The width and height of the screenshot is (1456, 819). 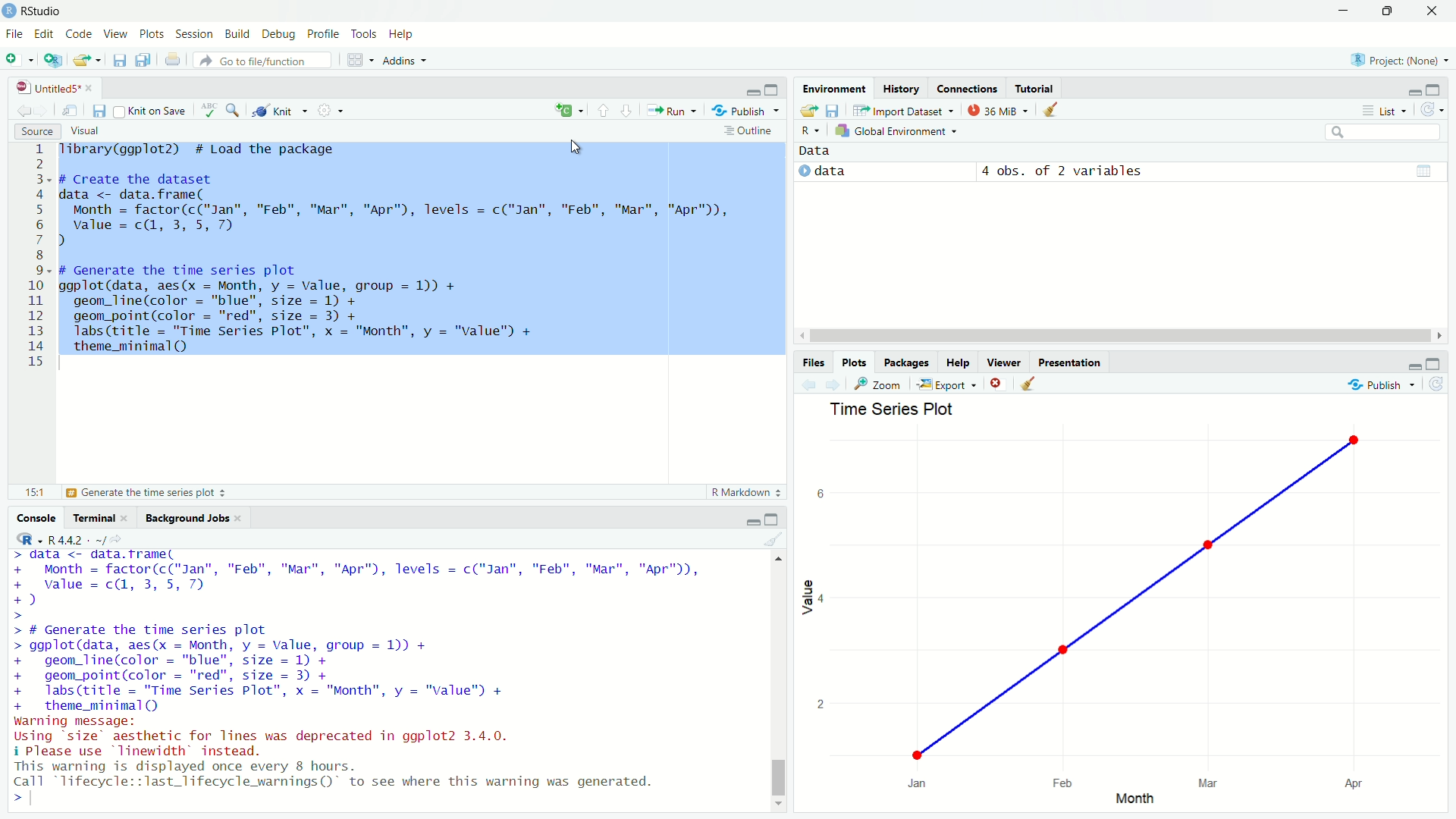 I want to click on maximize, so click(x=1441, y=88).